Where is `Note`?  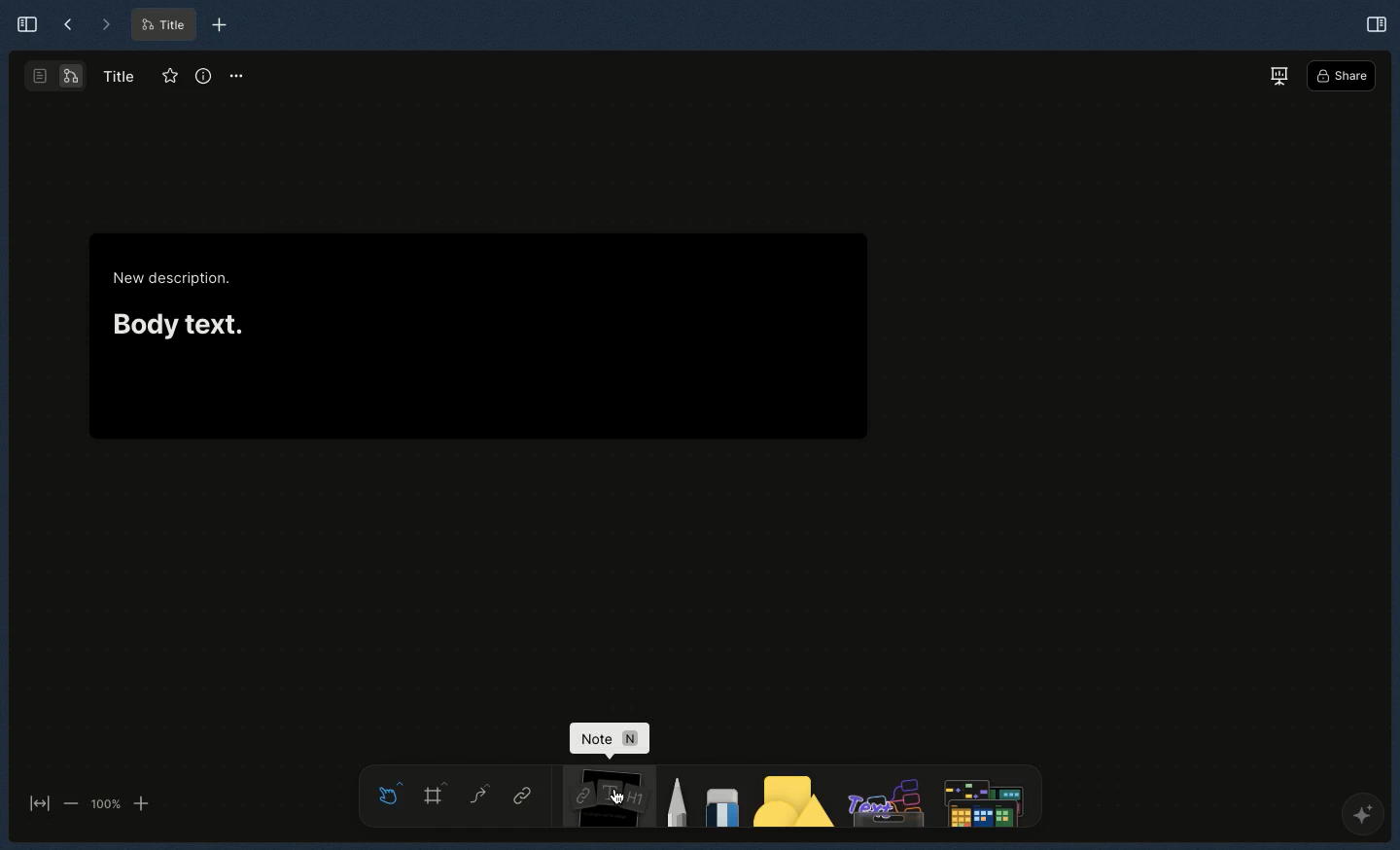 Note is located at coordinates (611, 739).